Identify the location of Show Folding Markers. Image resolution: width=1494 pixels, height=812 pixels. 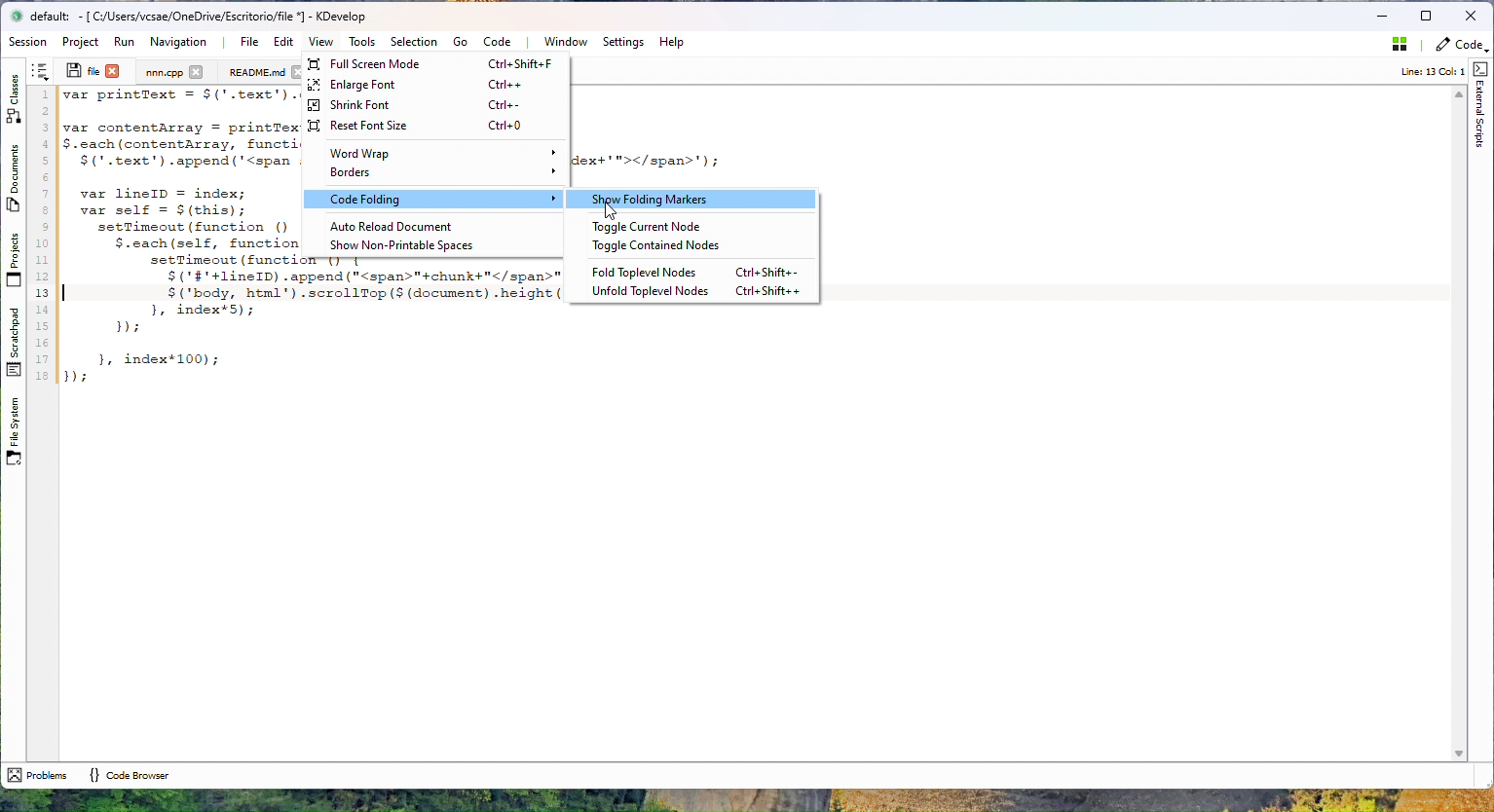
(693, 199).